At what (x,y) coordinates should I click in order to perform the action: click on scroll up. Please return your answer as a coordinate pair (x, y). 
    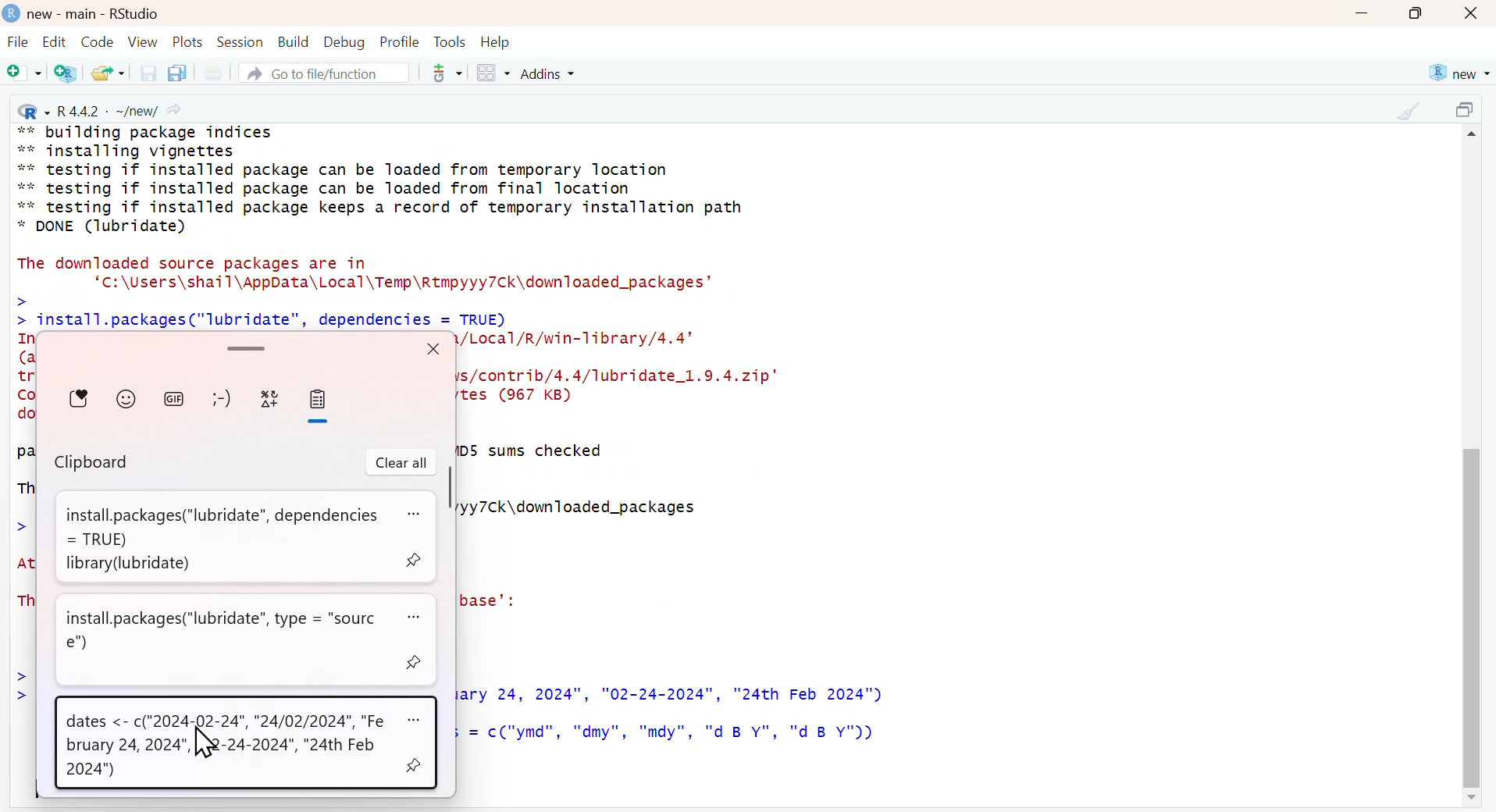
    Looking at the image, I should click on (1474, 137).